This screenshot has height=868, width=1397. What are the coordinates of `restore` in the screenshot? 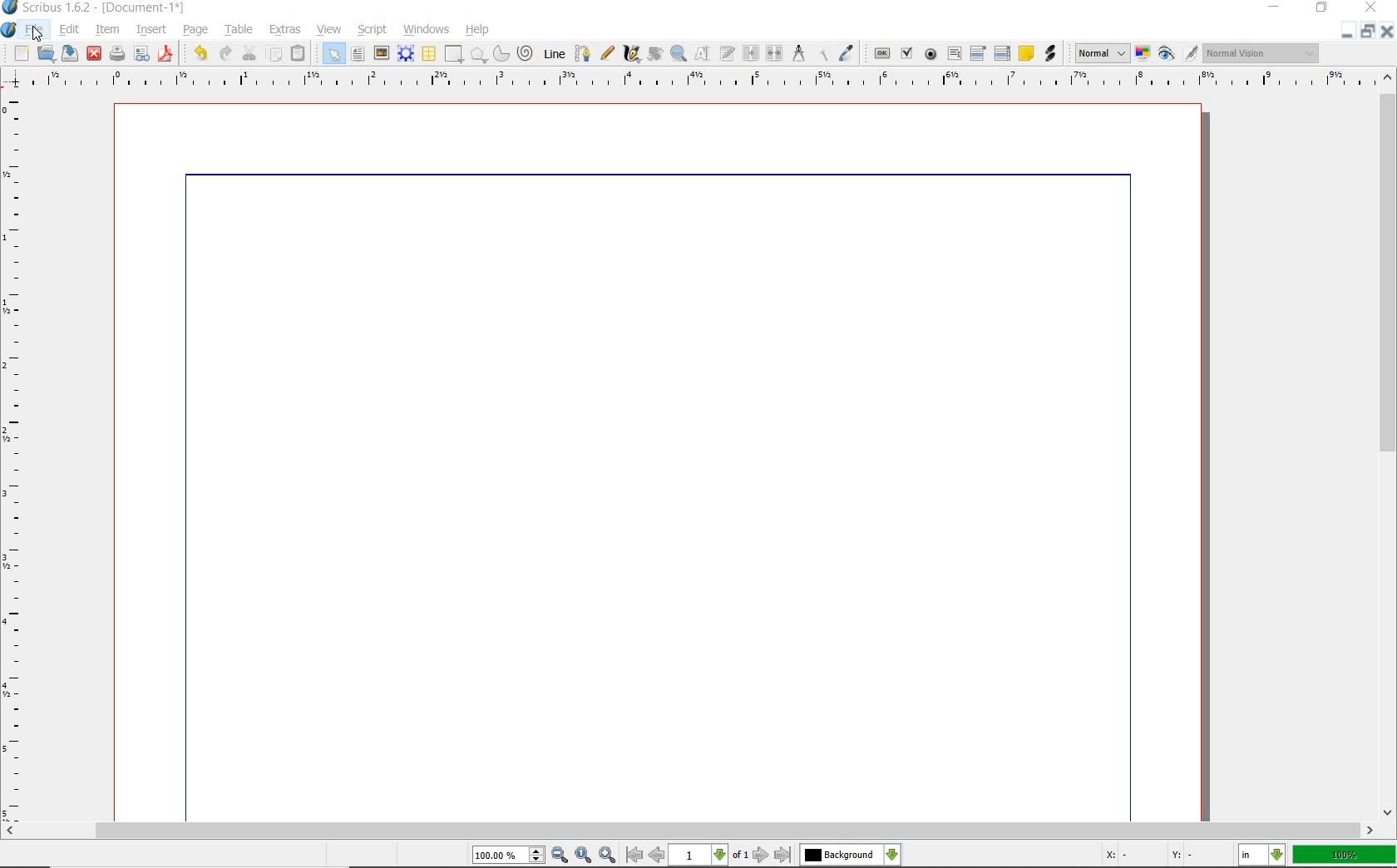 It's located at (1368, 30).